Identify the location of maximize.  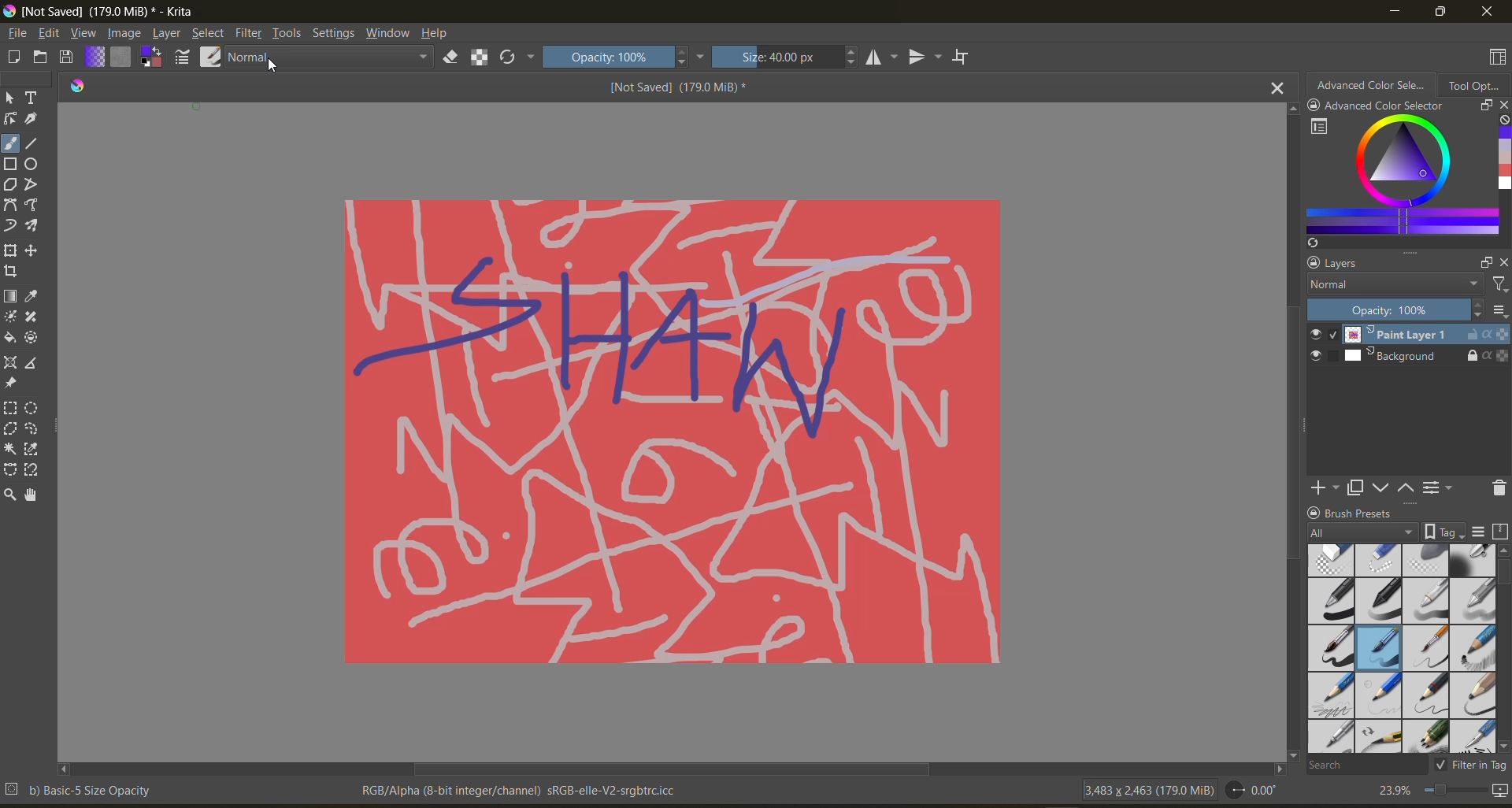
(1440, 13).